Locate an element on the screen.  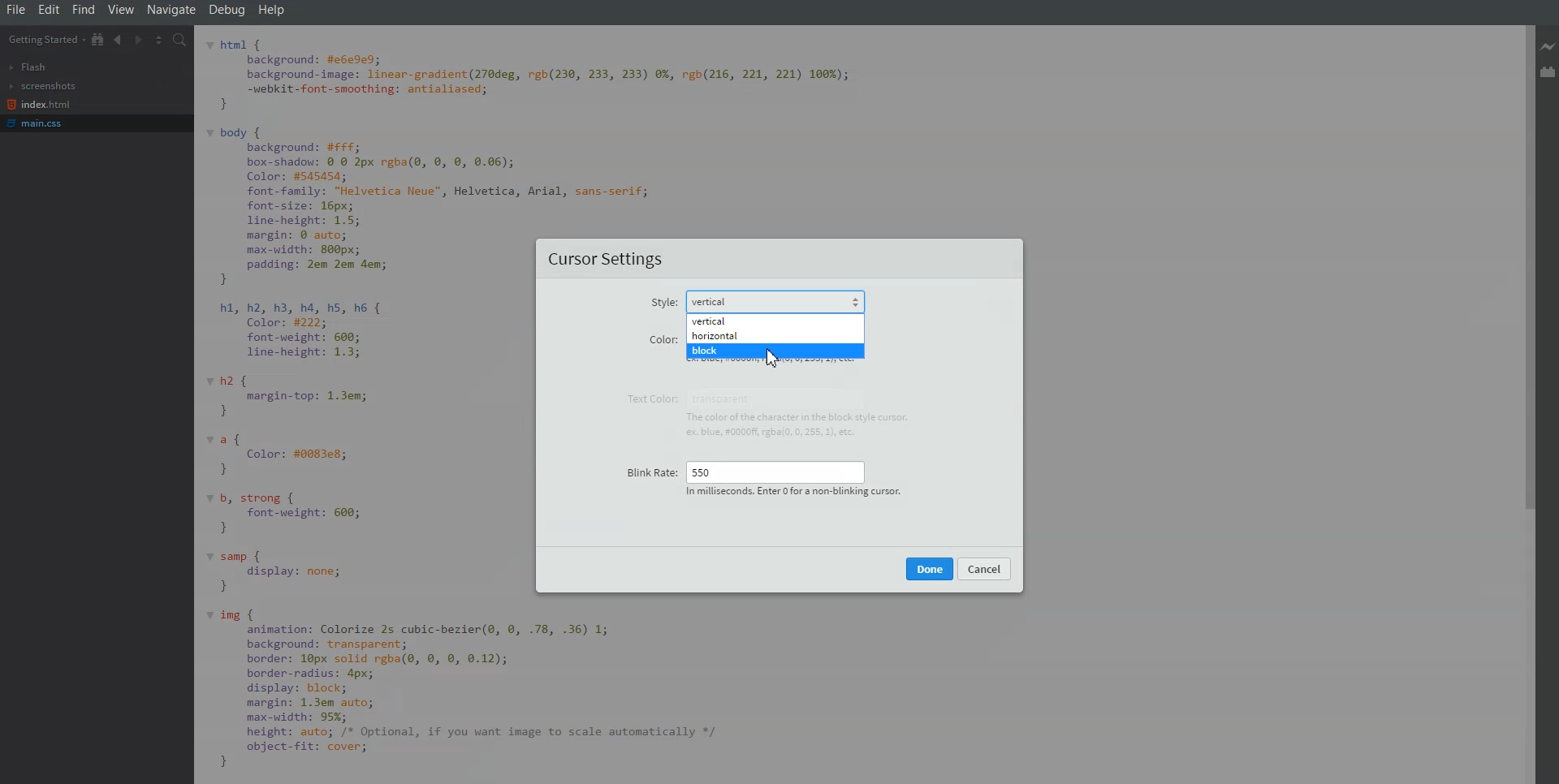
Getting Started is located at coordinates (45, 39).